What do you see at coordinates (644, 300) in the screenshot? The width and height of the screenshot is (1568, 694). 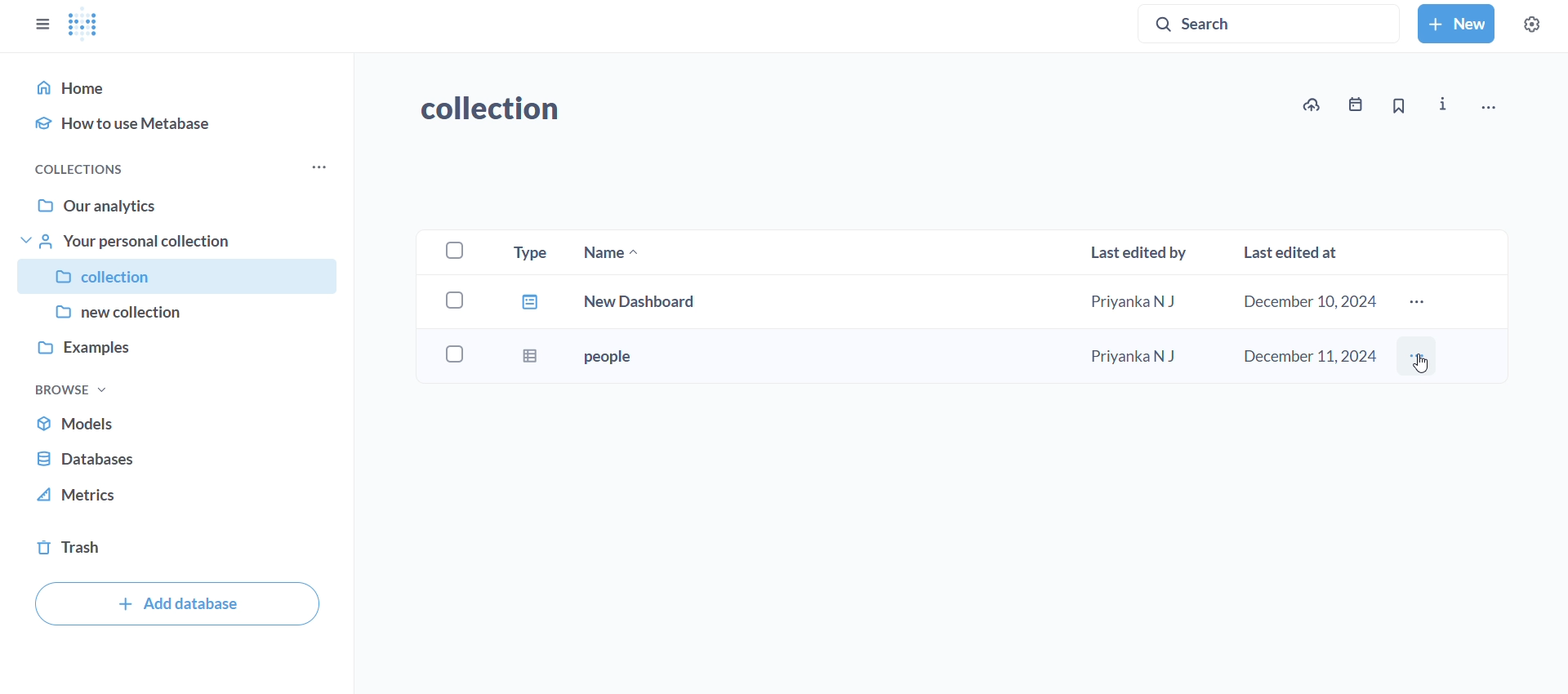 I see `newdashboard` at bounding box center [644, 300].